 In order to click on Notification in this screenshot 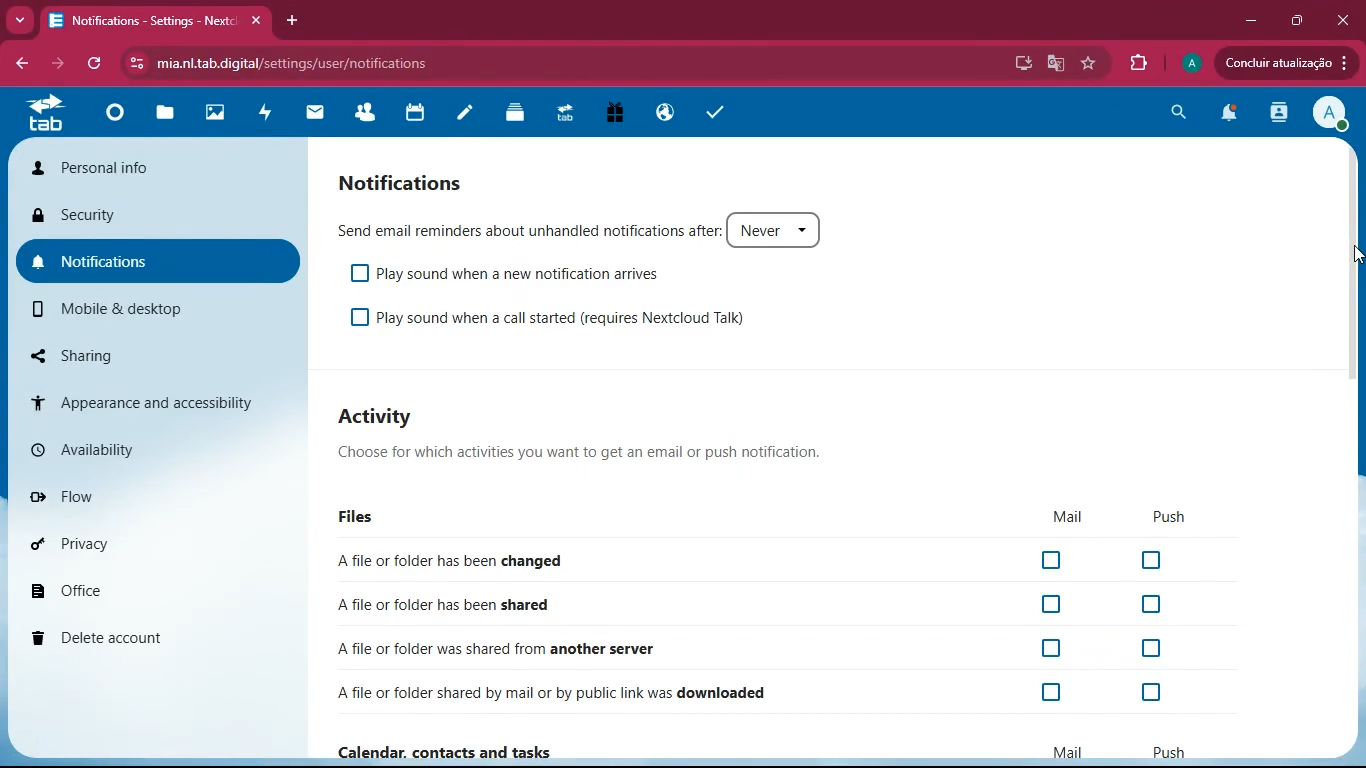, I will do `click(403, 181)`.